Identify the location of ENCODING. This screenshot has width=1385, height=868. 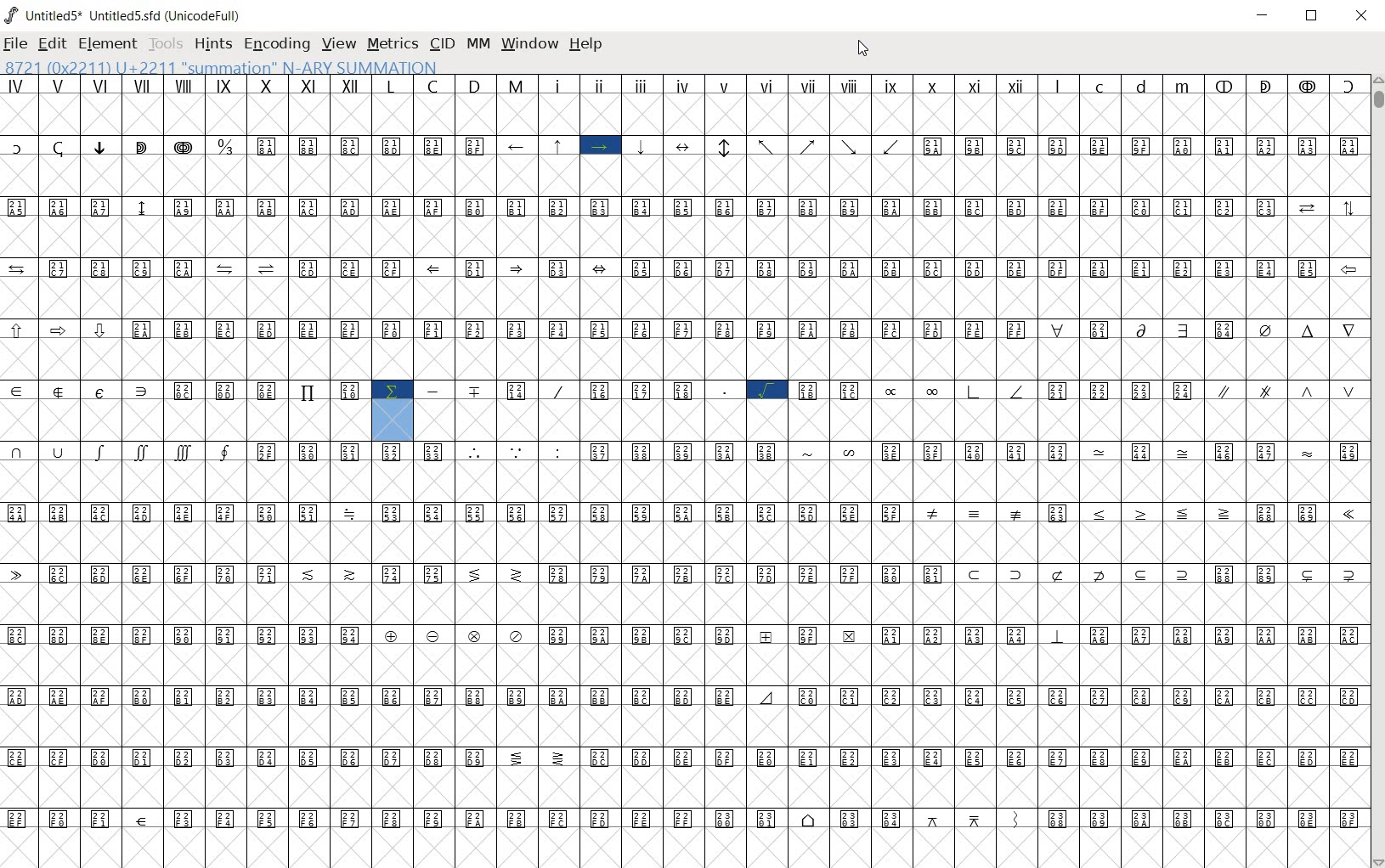
(275, 45).